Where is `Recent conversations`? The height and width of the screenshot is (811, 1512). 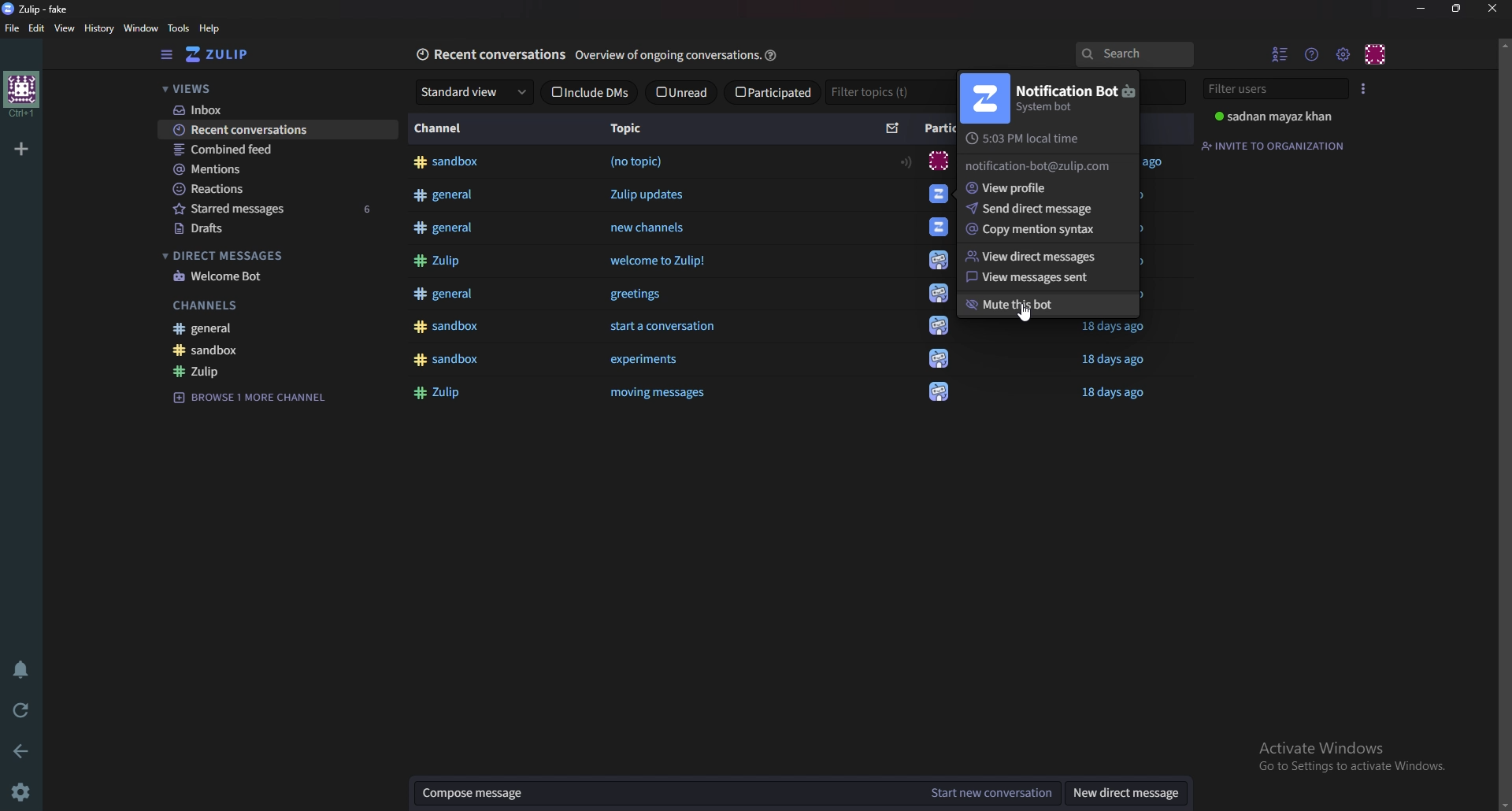 Recent conversations is located at coordinates (276, 130).